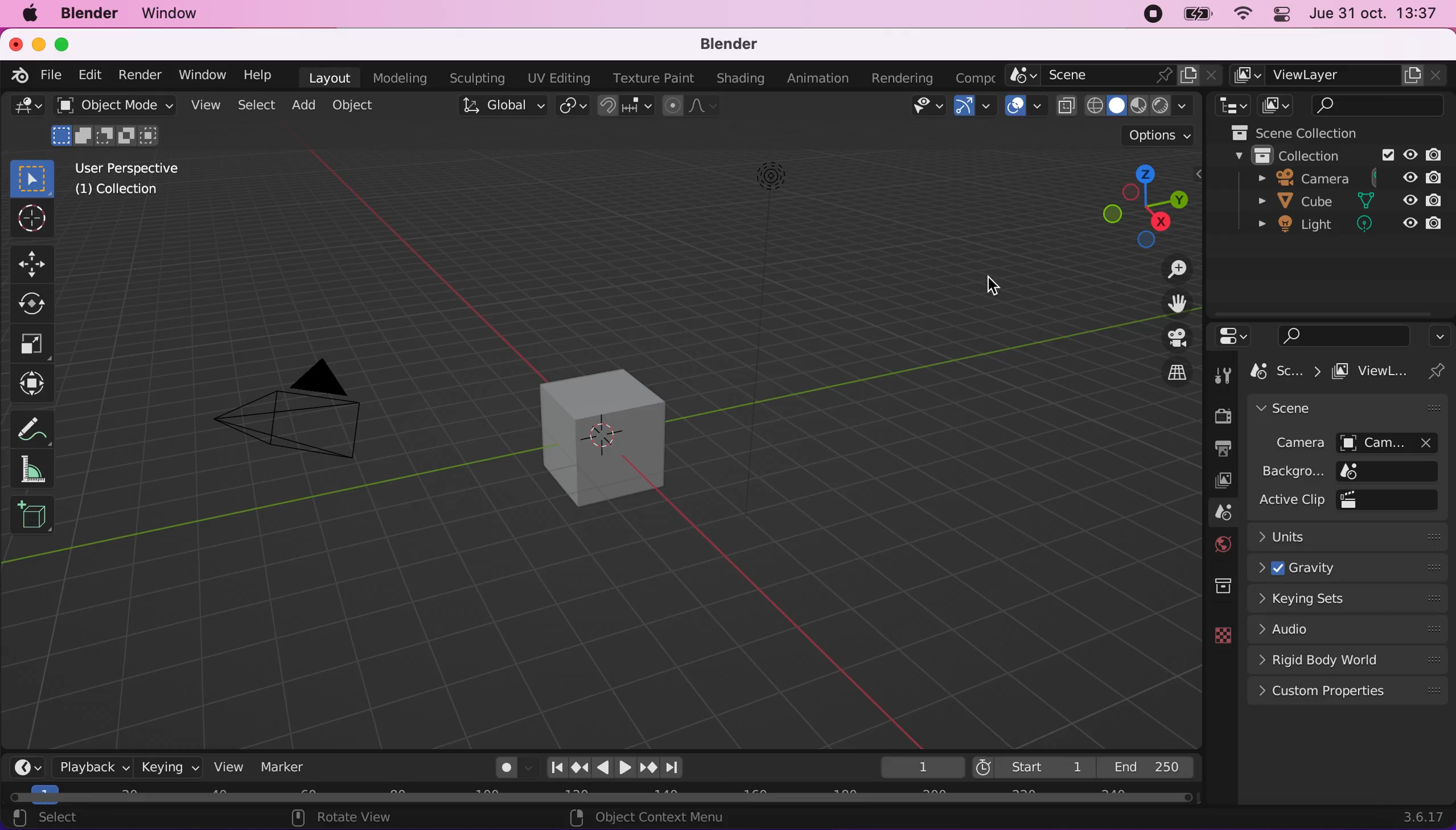  Describe the element at coordinates (35, 180) in the screenshot. I see `select box` at that location.